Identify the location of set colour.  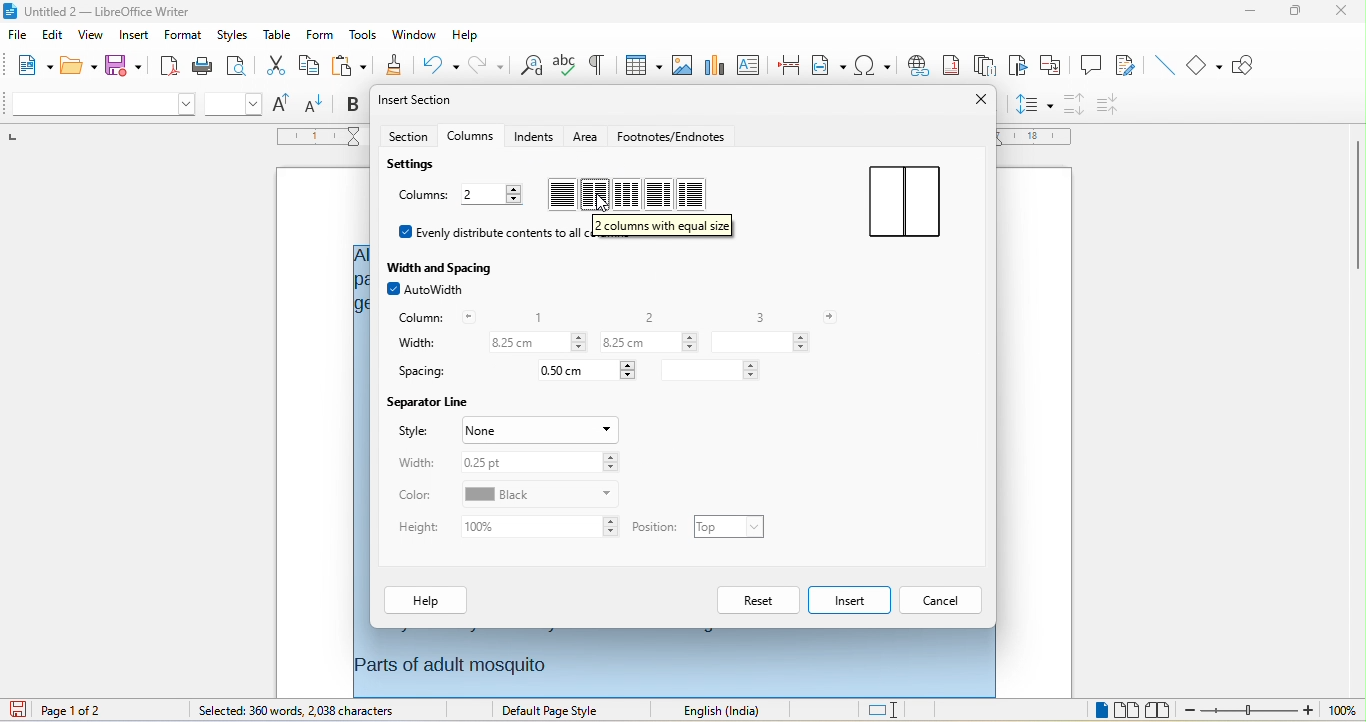
(539, 495).